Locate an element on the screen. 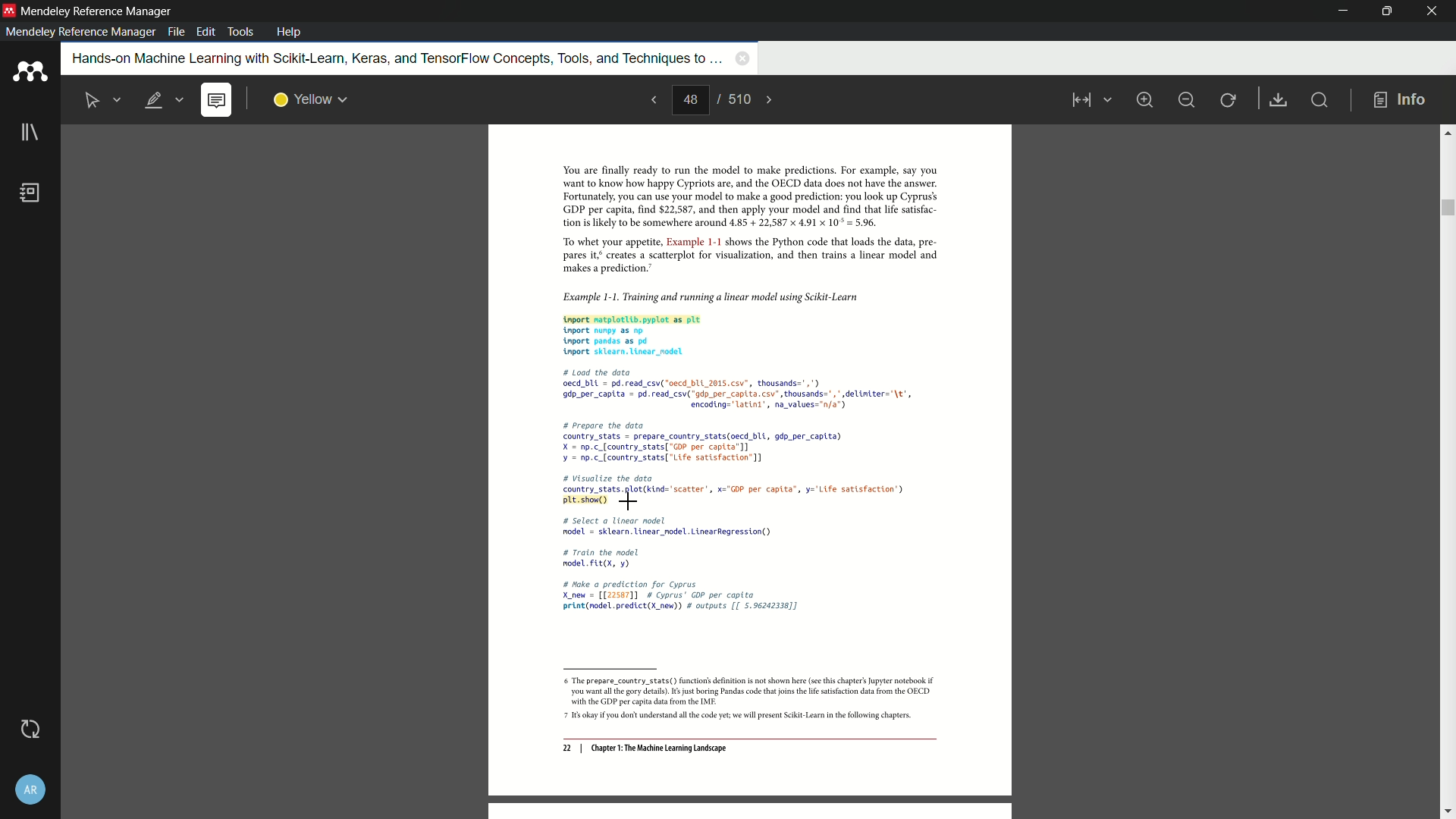 This screenshot has width=1456, height=819. book is located at coordinates (31, 193).